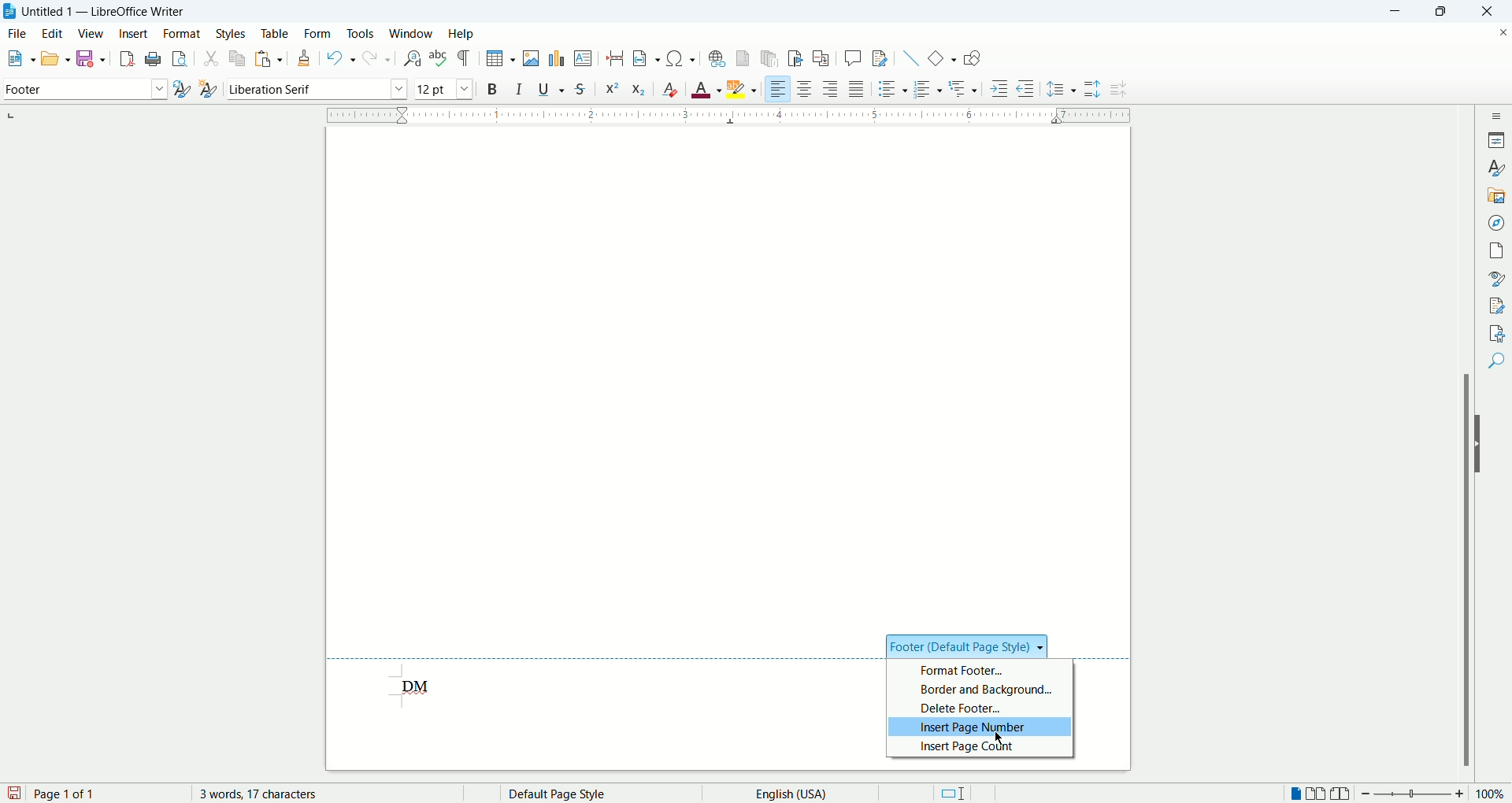 This screenshot has width=1512, height=803. I want to click on single page view, so click(1297, 795).